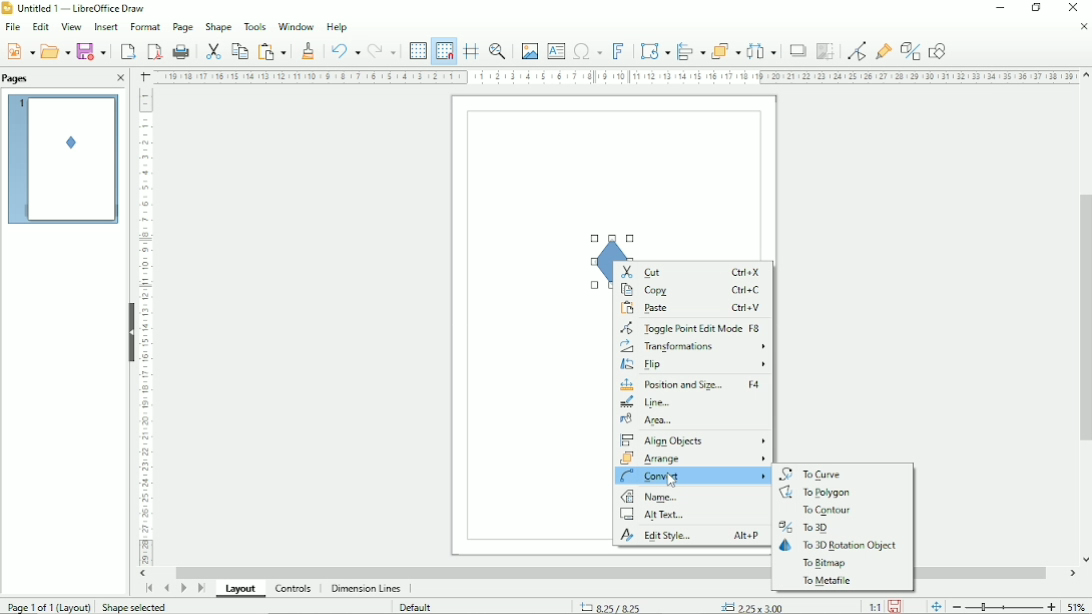  Describe the element at coordinates (556, 50) in the screenshot. I see `Insert text box` at that location.